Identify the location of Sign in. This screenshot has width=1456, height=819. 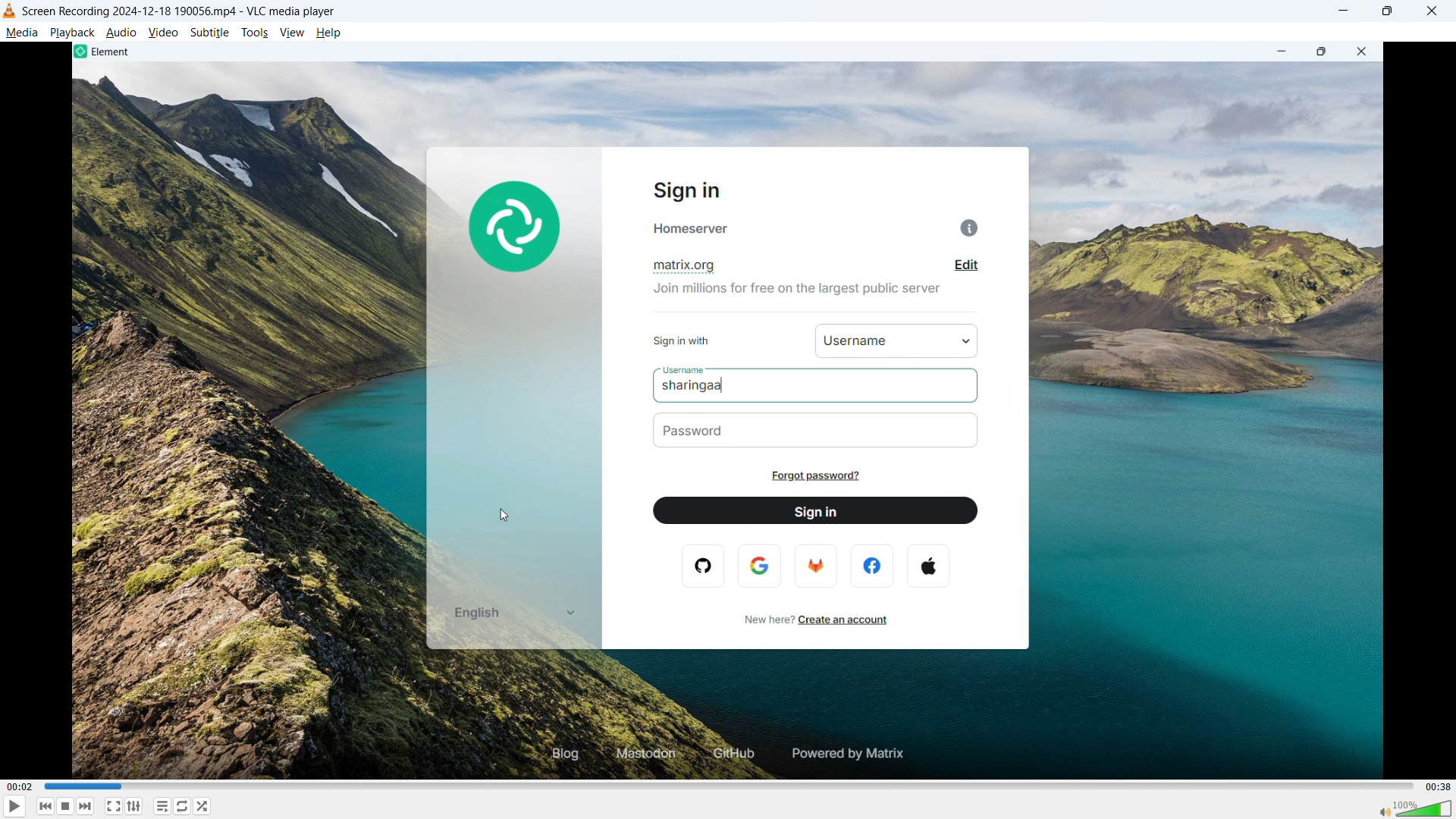
(813, 510).